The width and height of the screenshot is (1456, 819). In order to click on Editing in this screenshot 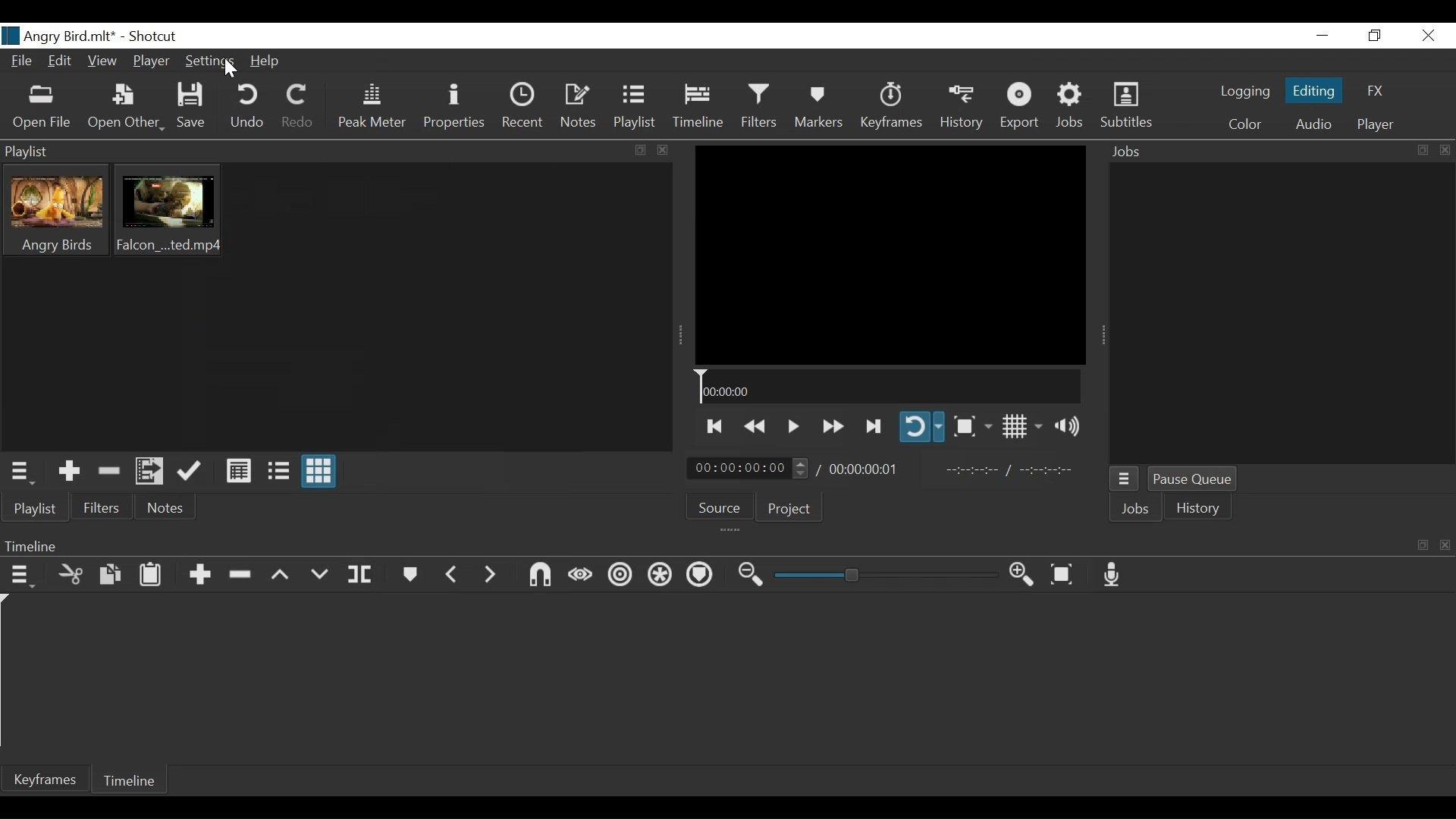, I will do `click(1314, 91)`.